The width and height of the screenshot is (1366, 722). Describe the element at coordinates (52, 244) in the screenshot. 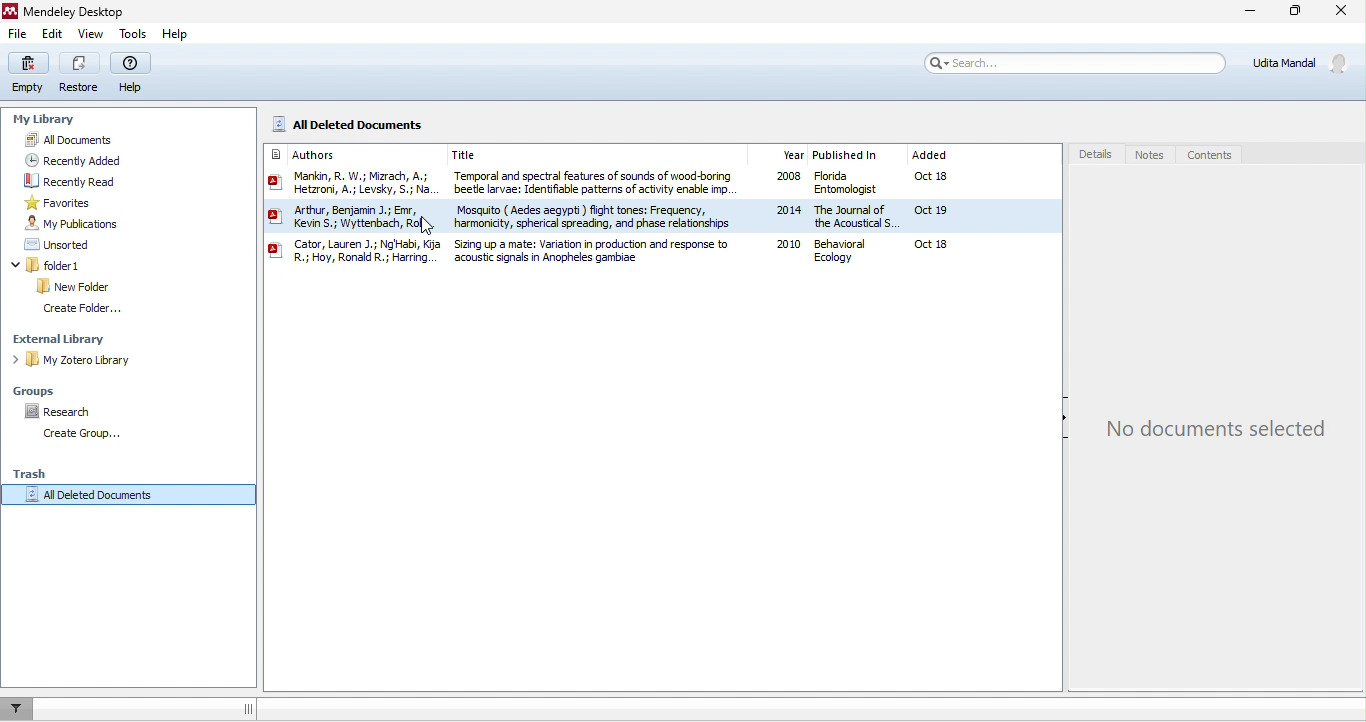

I see `unsorted` at that location.